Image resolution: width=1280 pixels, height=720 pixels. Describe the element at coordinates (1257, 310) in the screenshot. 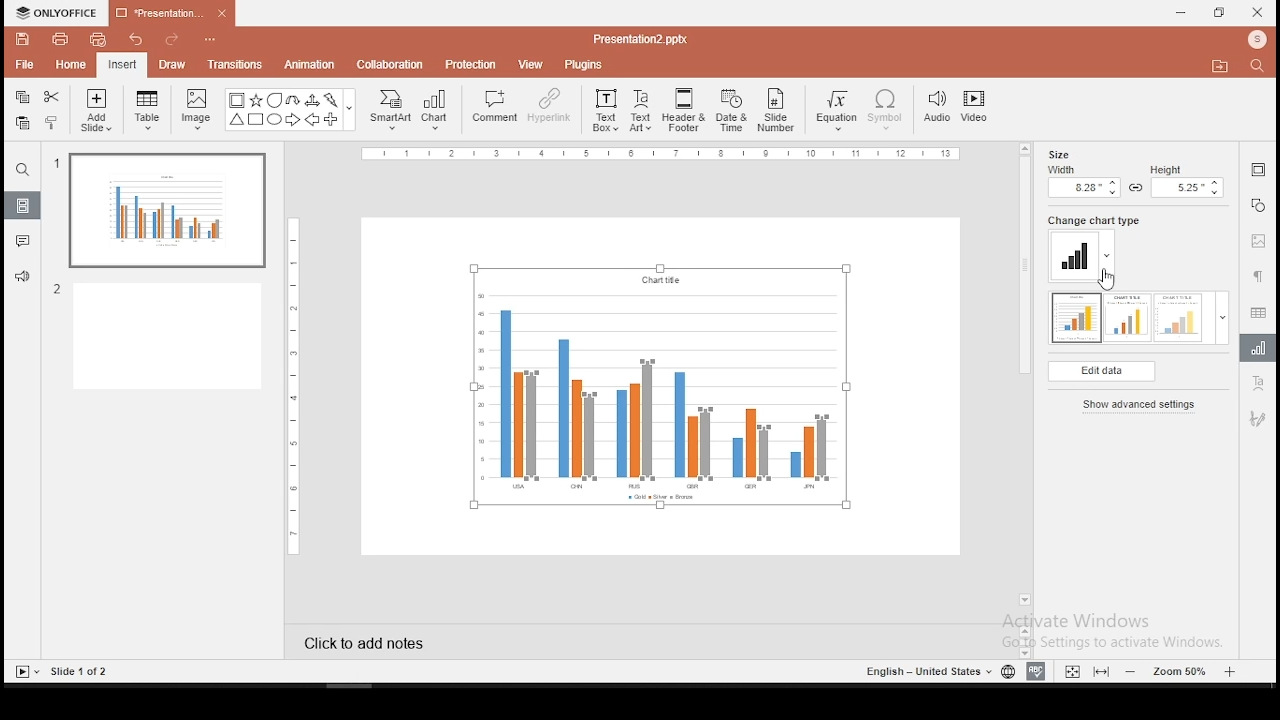

I see `table settings` at that location.